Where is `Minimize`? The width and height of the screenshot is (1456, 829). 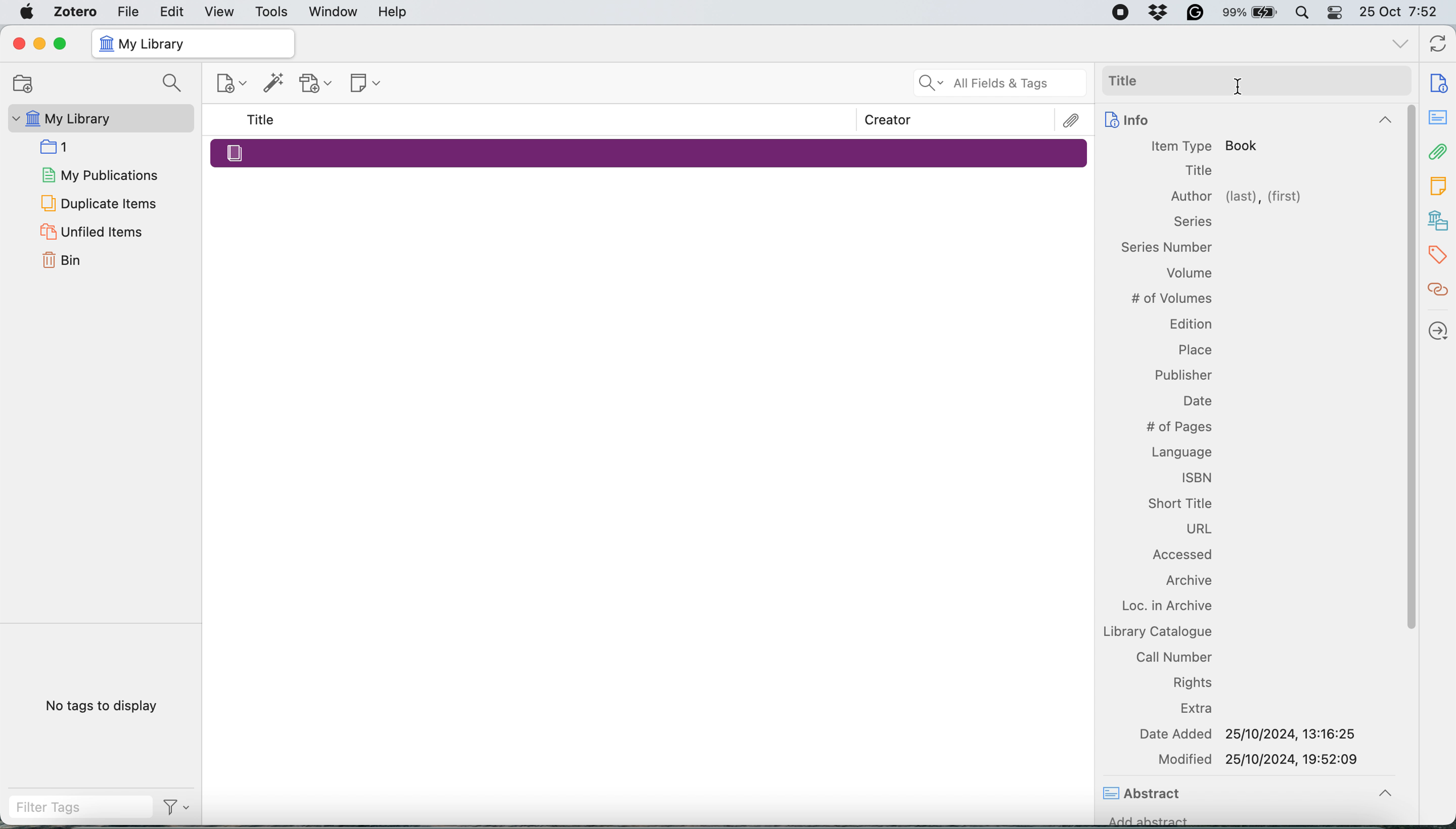
Minimize is located at coordinates (38, 44).